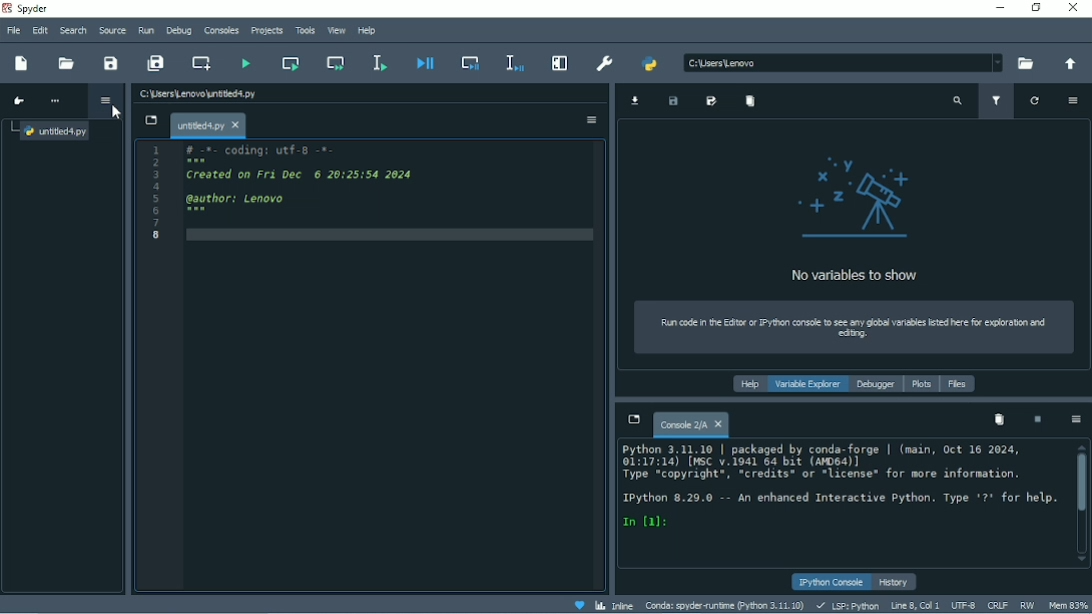  What do you see at coordinates (1037, 9) in the screenshot?
I see `Restore down` at bounding box center [1037, 9].